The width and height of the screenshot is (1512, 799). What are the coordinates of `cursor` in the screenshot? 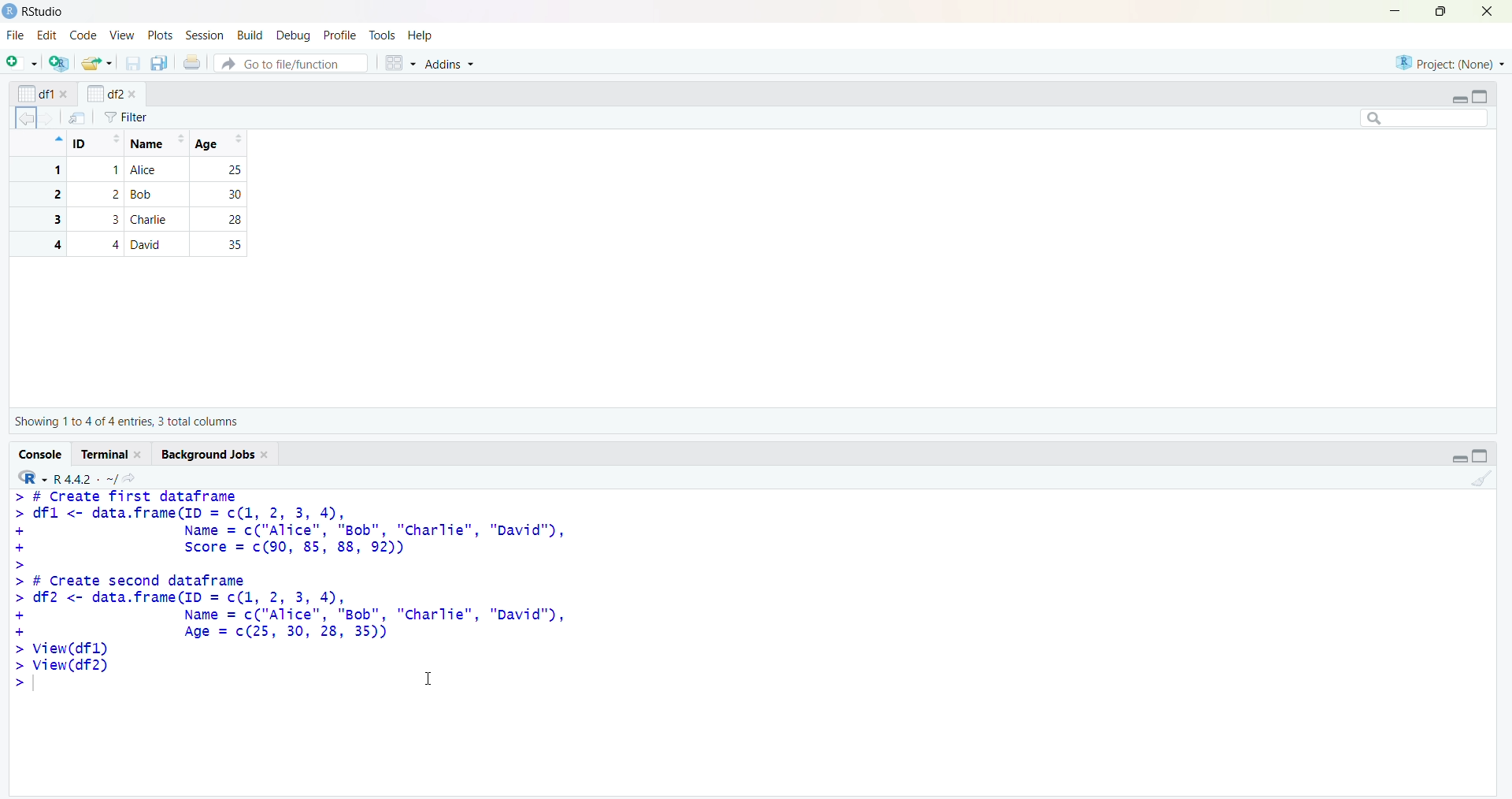 It's located at (429, 678).